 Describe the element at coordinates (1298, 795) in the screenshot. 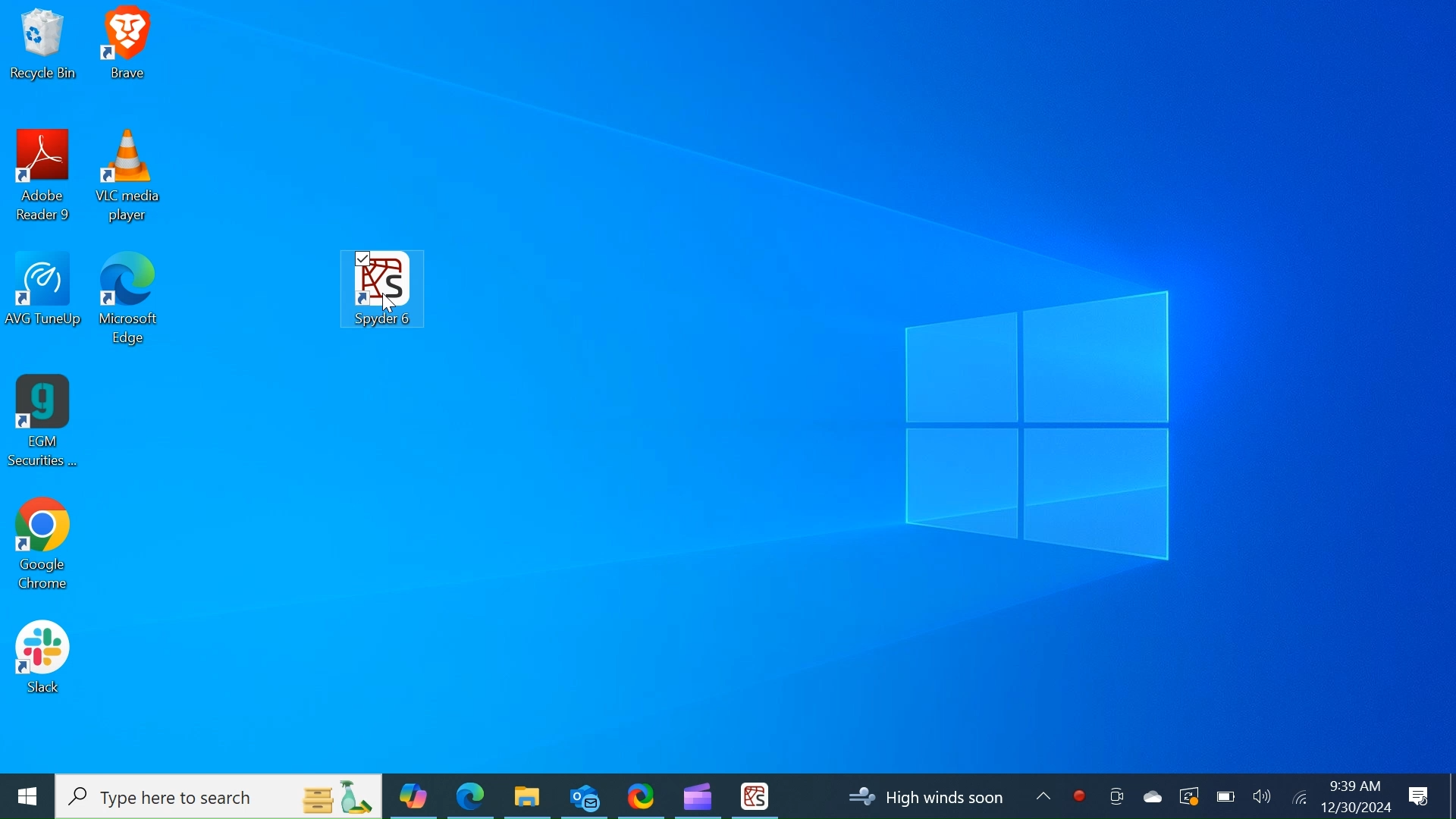

I see `Internet Connectivity` at that location.